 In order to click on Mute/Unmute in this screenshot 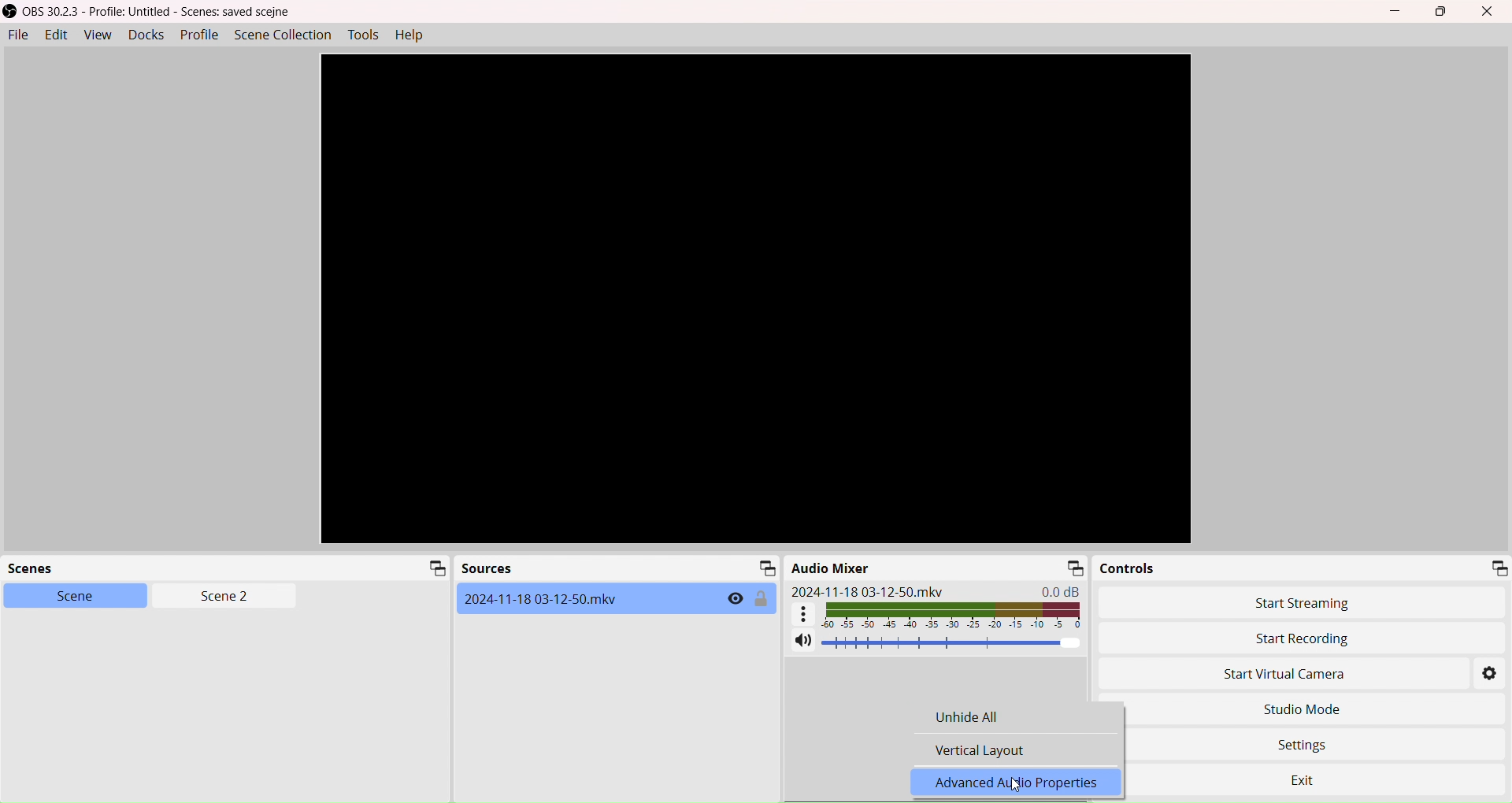, I will do `click(802, 642)`.